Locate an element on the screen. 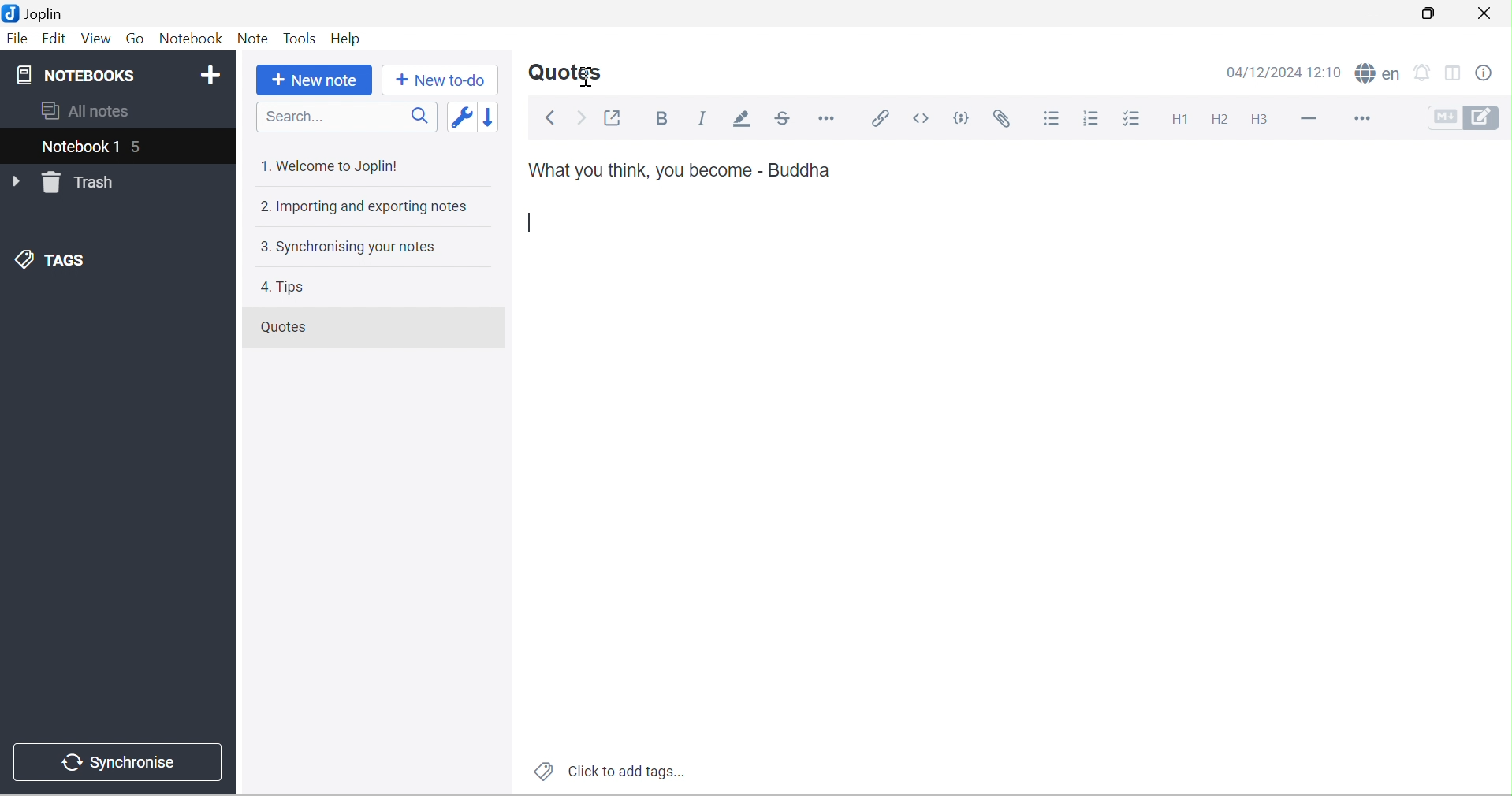 The width and height of the screenshot is (1512, 796). spell checker is located at coordinates (1376, 73).